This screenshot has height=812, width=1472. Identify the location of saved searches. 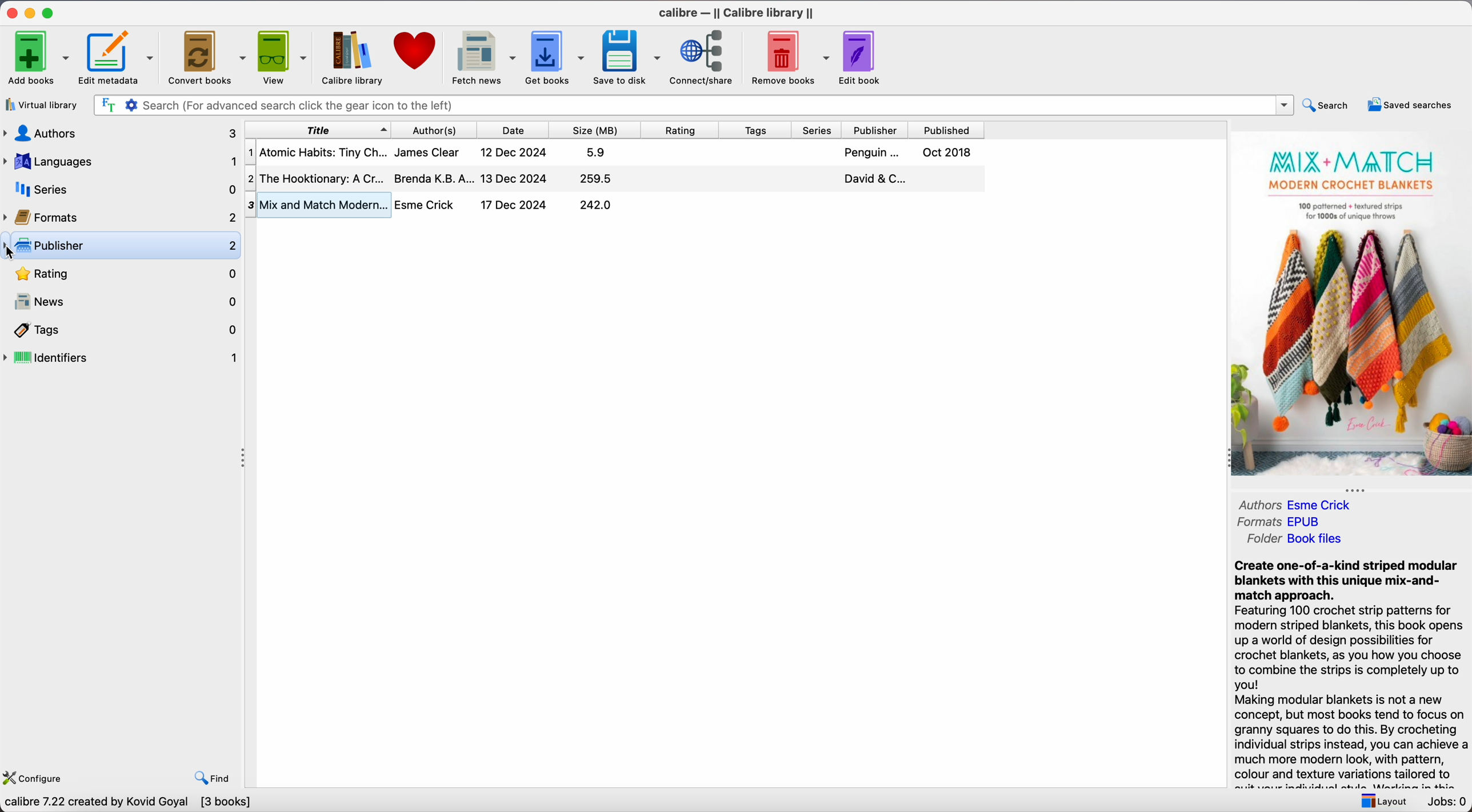
(1409, 104).